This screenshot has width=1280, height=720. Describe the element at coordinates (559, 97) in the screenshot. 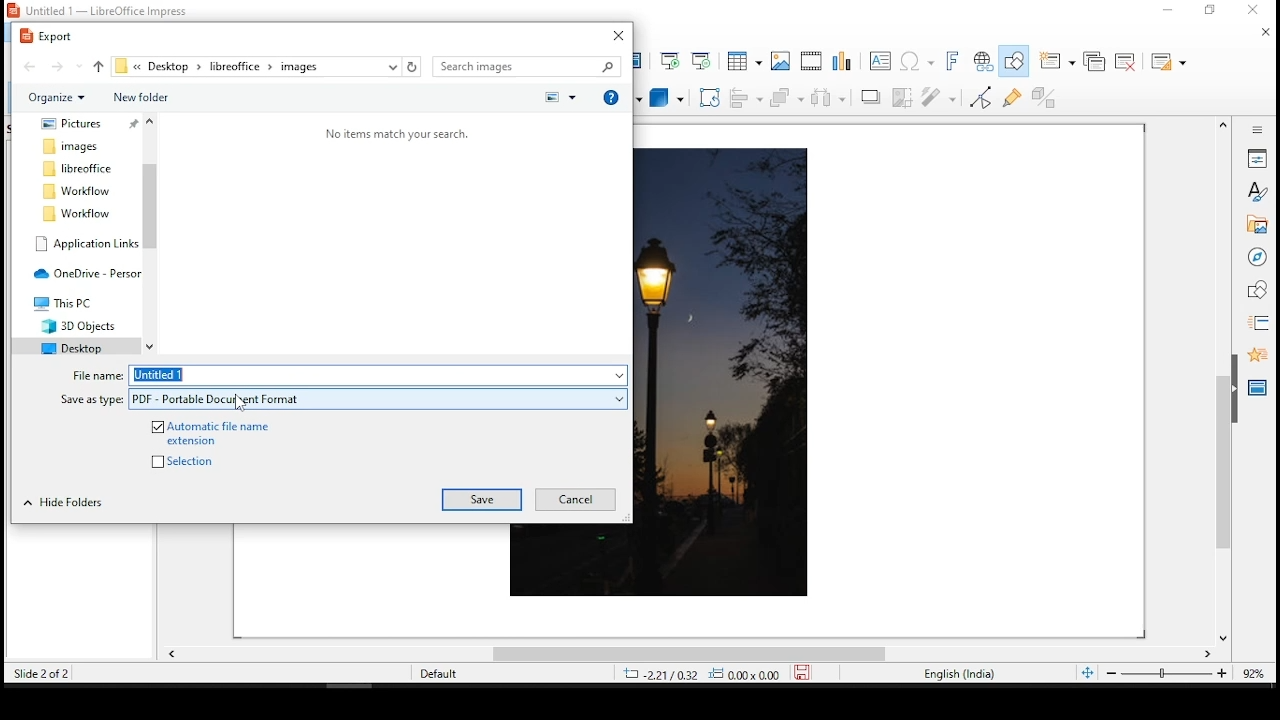

I see `preview` at that location.